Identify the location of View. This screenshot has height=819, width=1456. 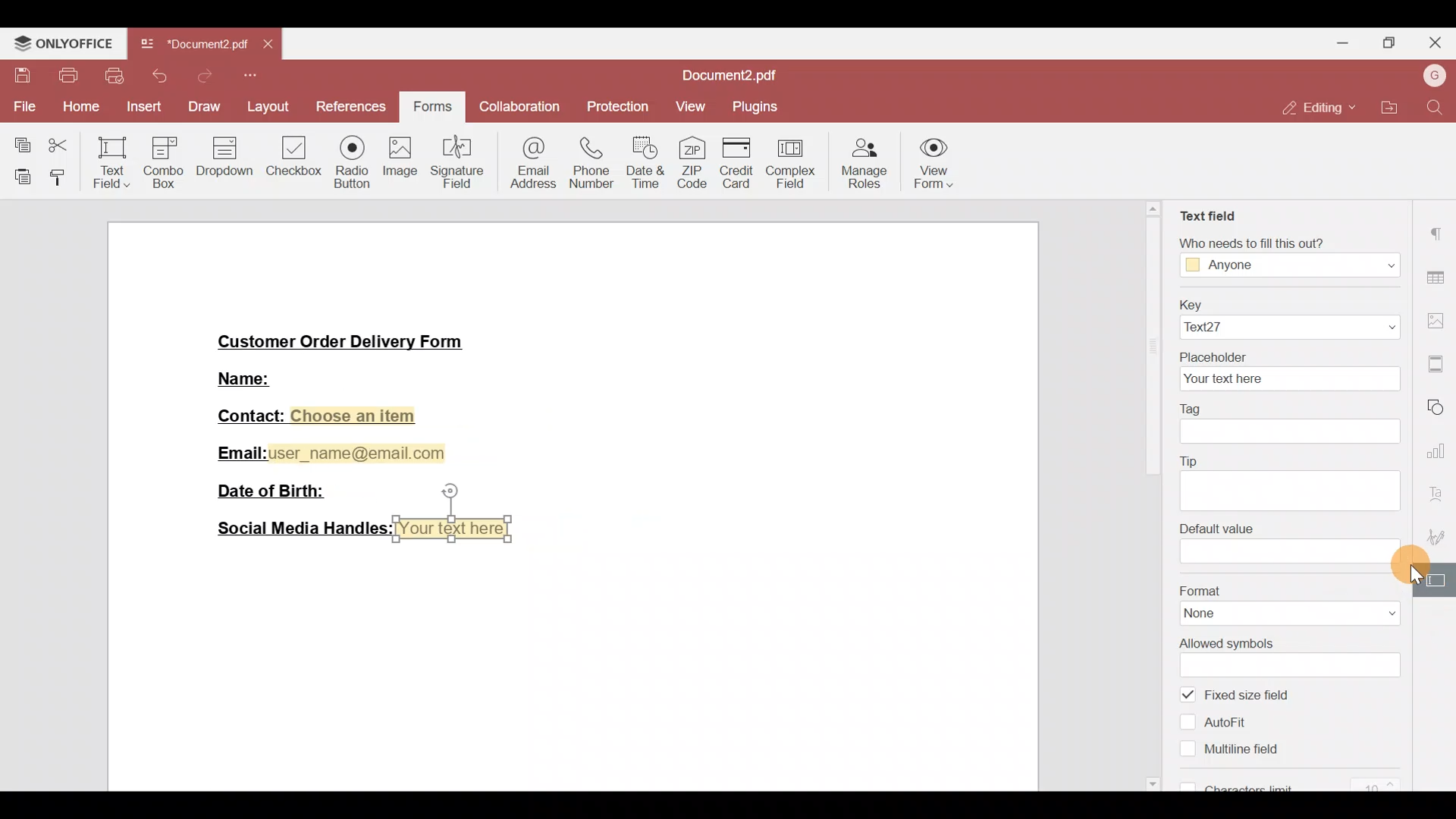
(689, 110).